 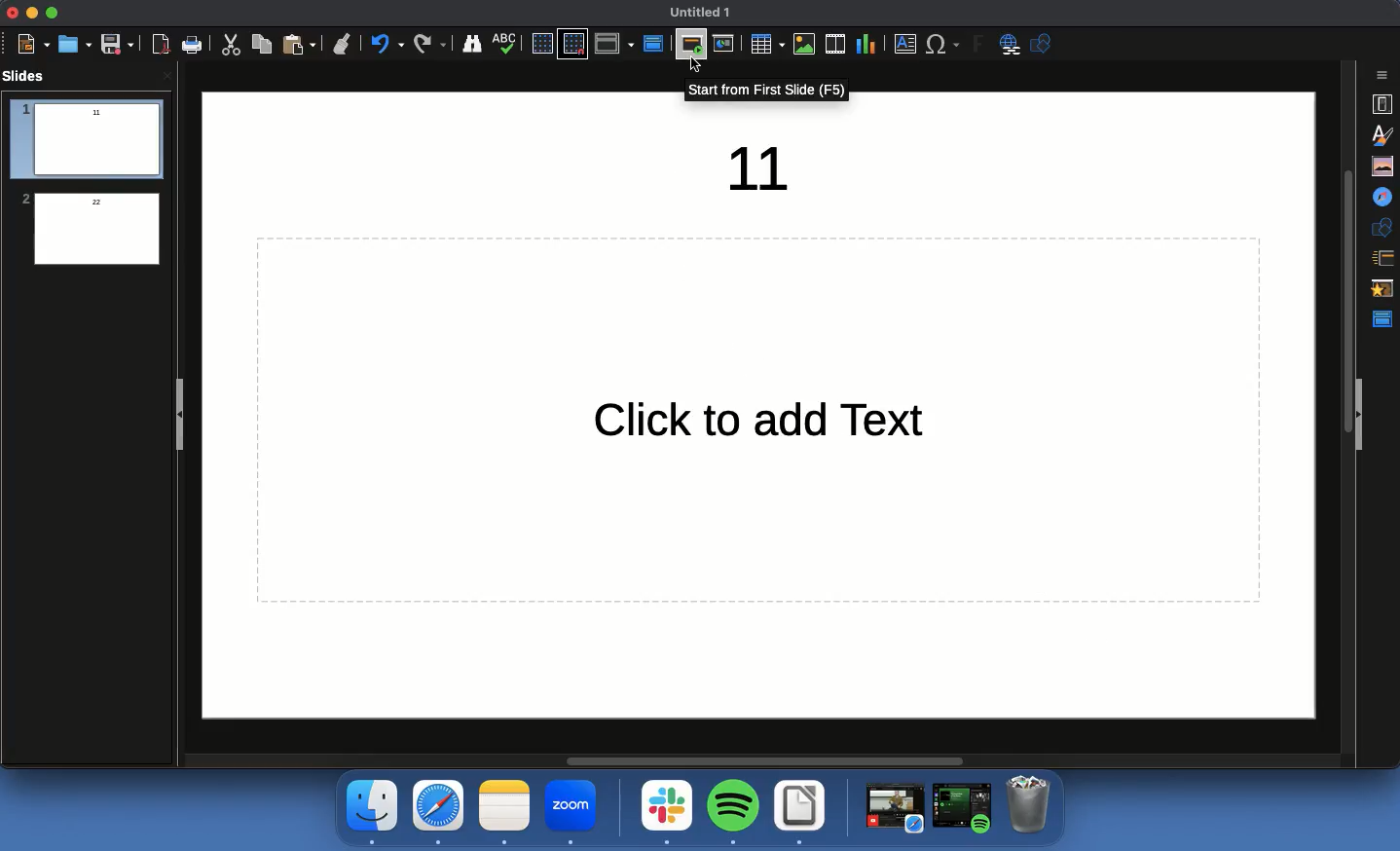 I want to click on Safari, so click(x=437, y=813).